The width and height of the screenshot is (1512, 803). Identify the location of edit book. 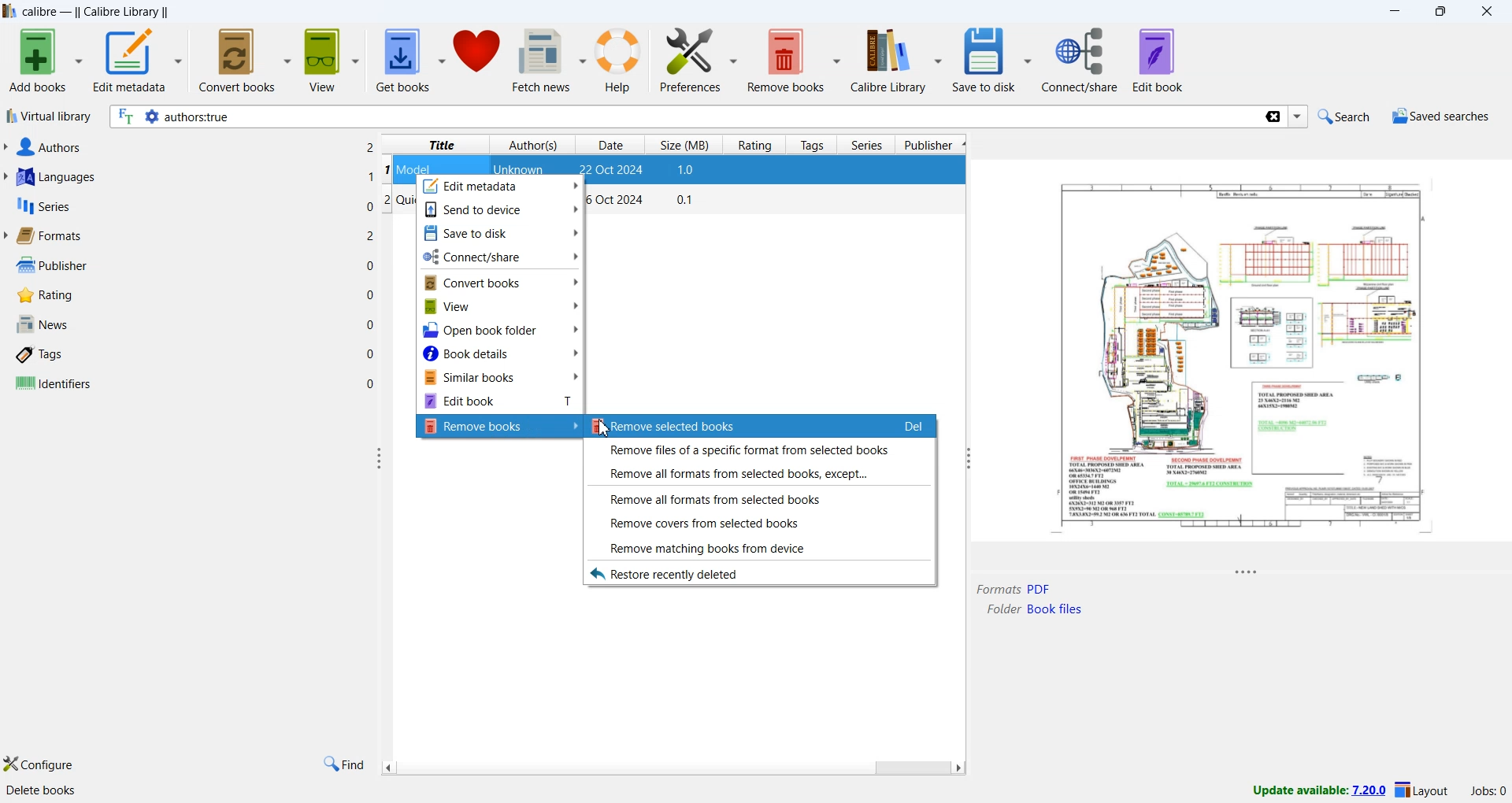
(1158, 60).